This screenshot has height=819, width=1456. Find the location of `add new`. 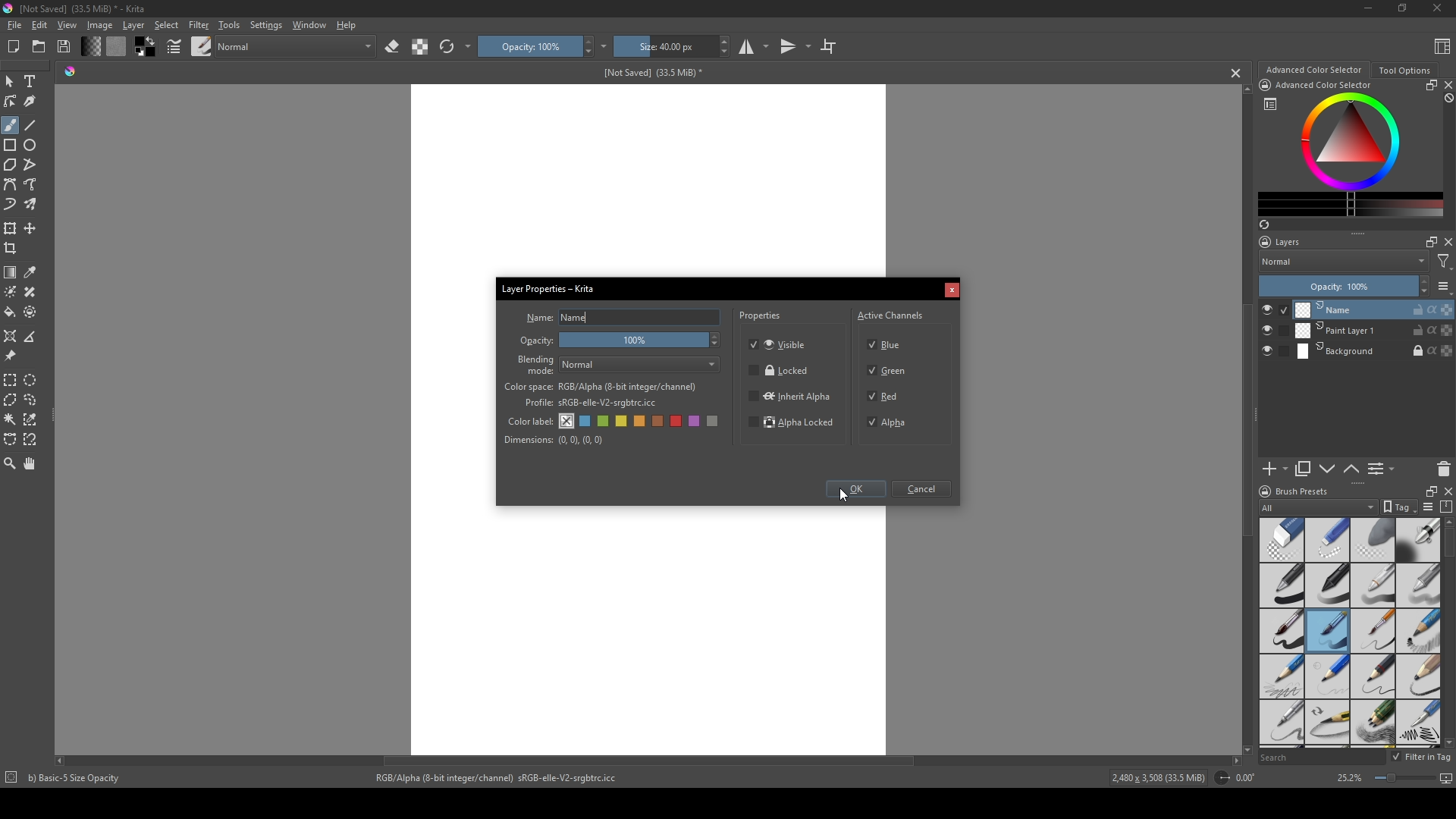

add new is located at coordinates (1274, 469).